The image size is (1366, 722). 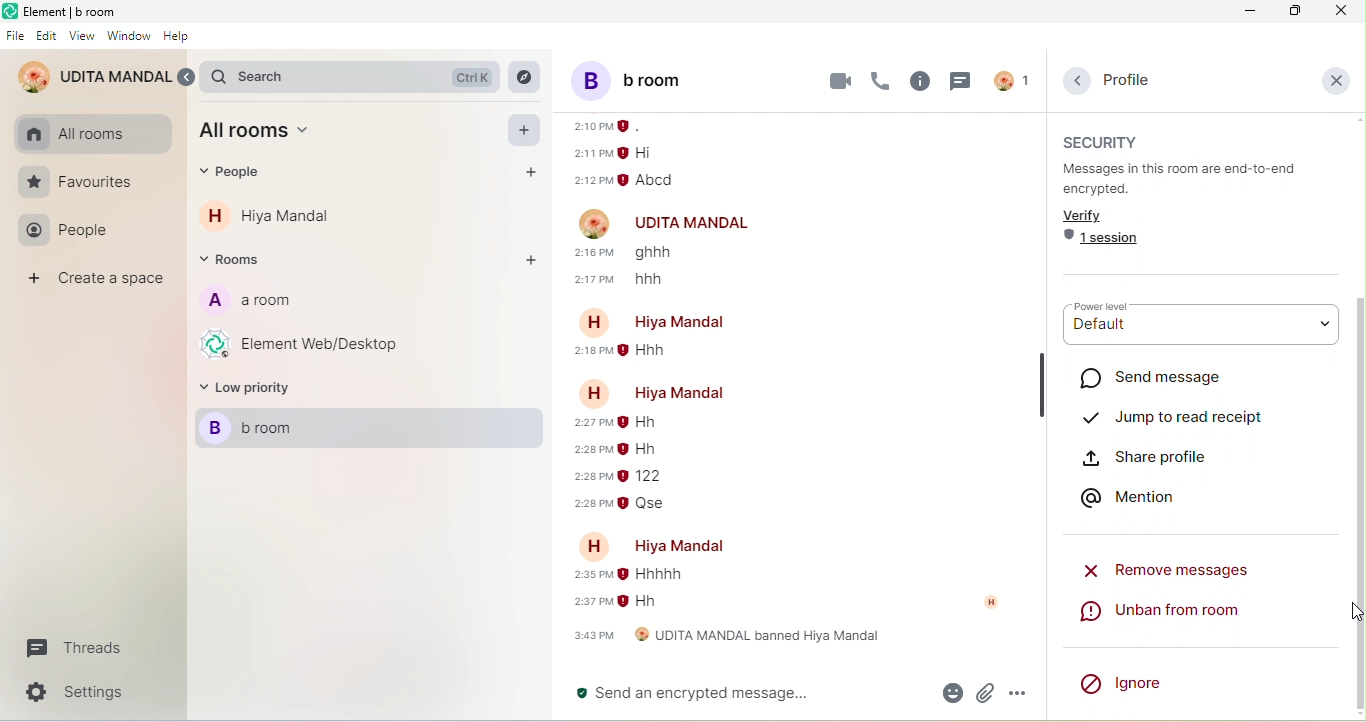 What do you see at coordinates (1105, 242) in the screenshot?
I see `1 session` at bounding box center [1105, 242].